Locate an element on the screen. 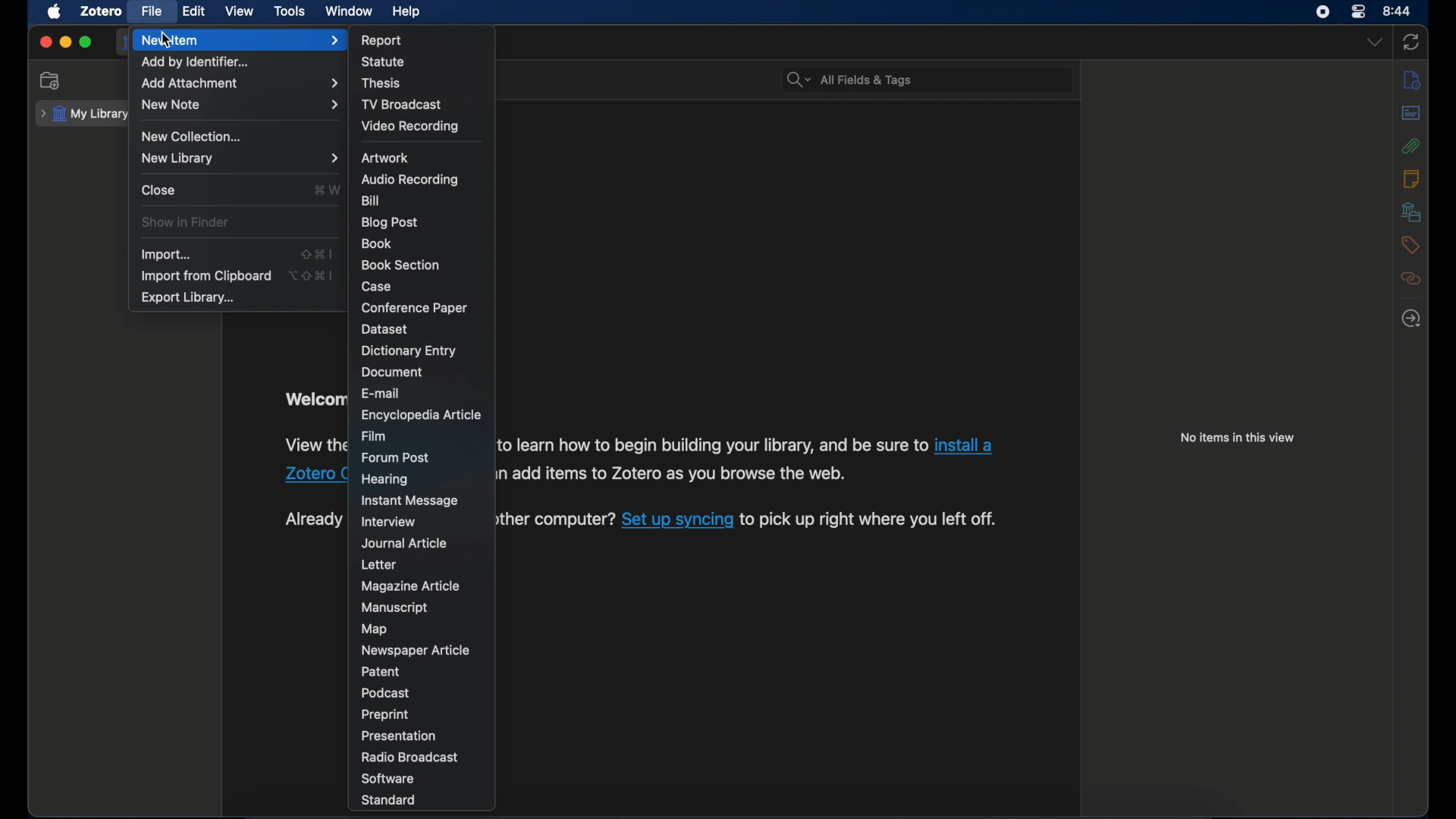 This screenshot has width=1456, height=819. control center is located at coordinates (1360, 12).